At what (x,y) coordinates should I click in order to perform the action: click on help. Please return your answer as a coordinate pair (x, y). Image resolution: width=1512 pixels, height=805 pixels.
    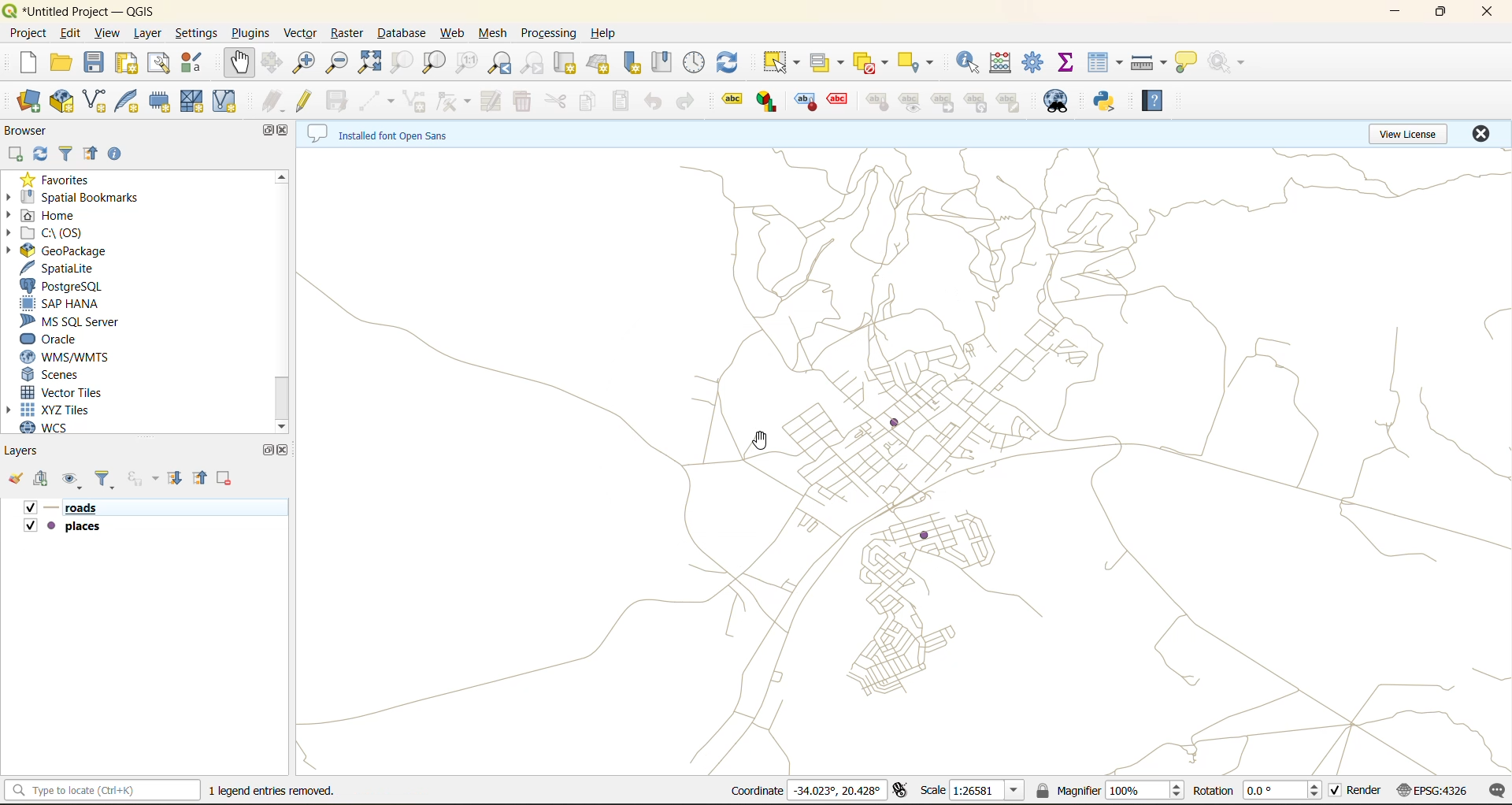
    Looking at the image, I should click on (1152, 102).